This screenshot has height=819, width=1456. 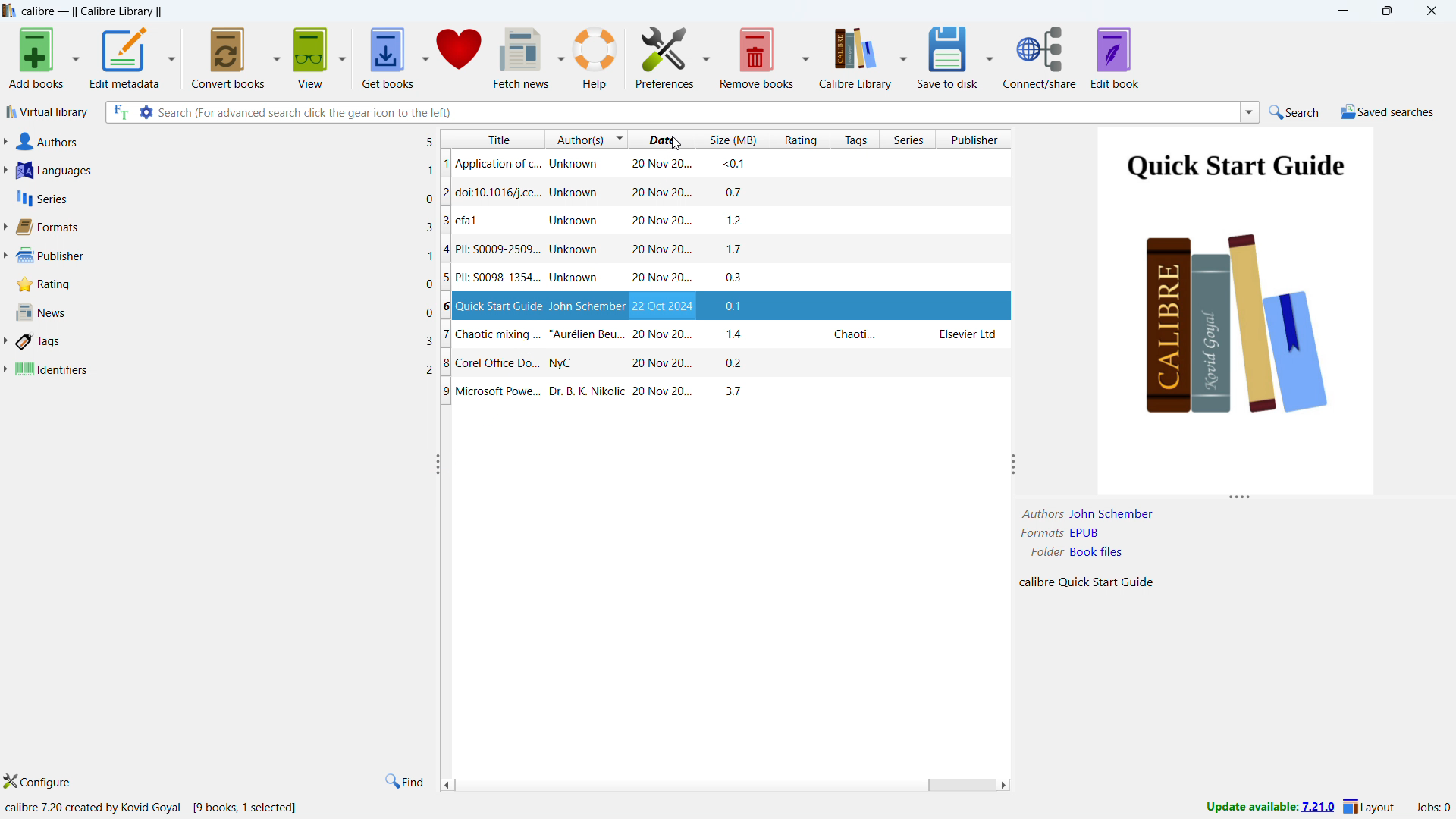 What do you see at coordinates (435, 464) in the screenshot?
I see `resize` at bounding box center [435, 464].